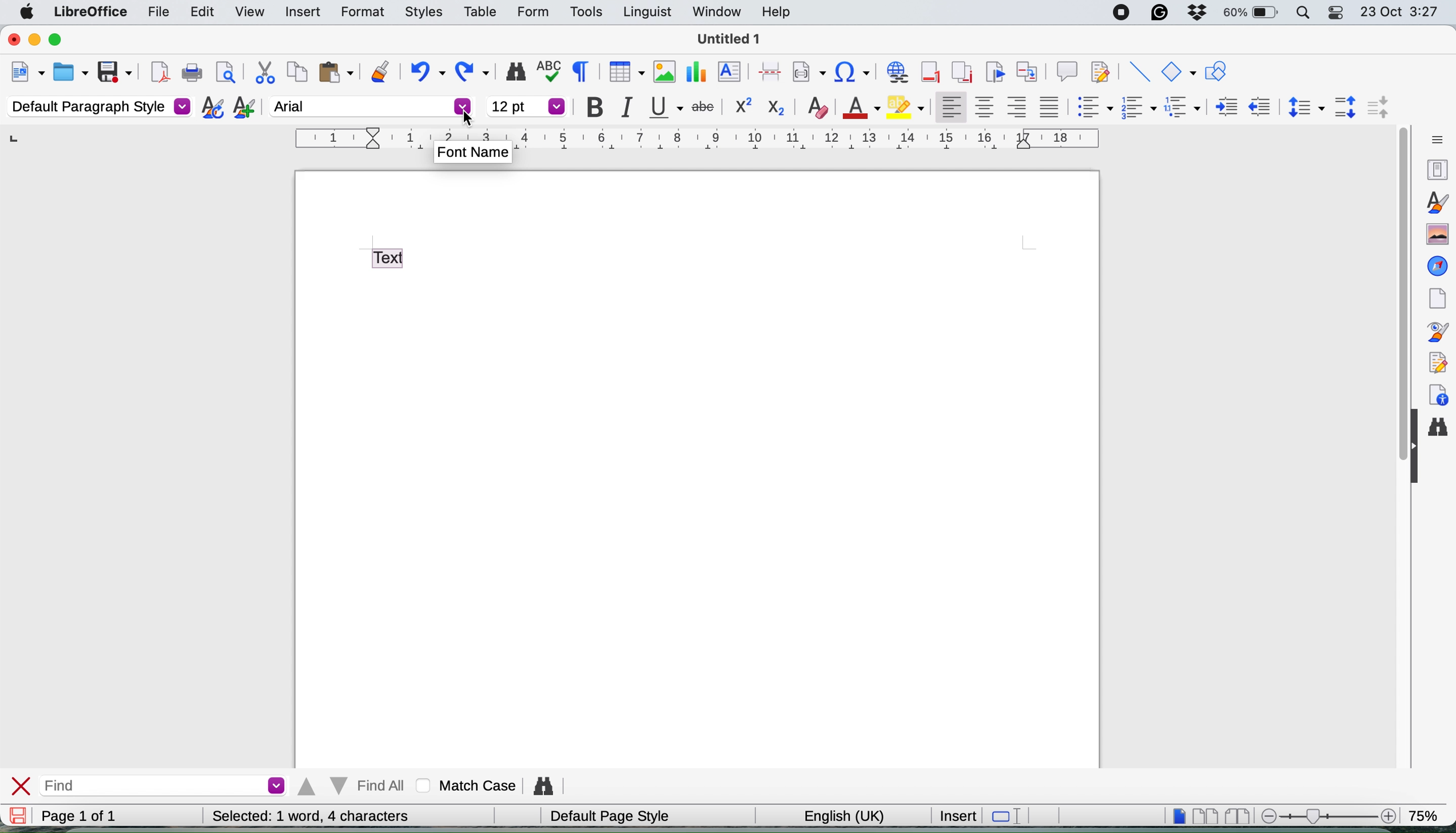 The height and width of the screenshot is (833, 1456). What do you see at coordinates (512, 72) in the screenshot?
I see `find and replace` at bounding box center [512, 72].